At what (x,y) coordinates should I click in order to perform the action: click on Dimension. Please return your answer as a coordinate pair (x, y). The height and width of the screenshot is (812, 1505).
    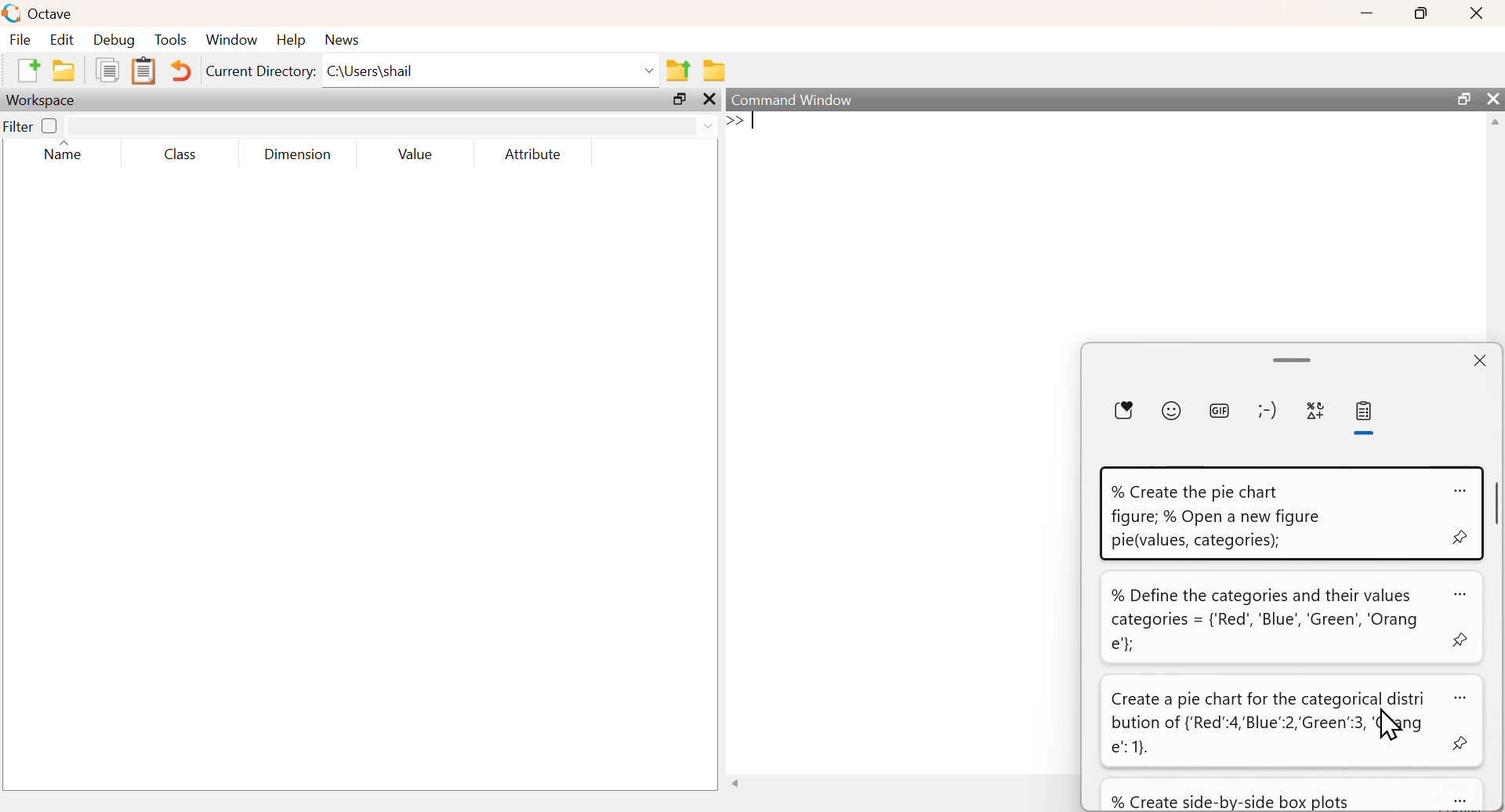
    Looking at the image, I should click on (300, 155).